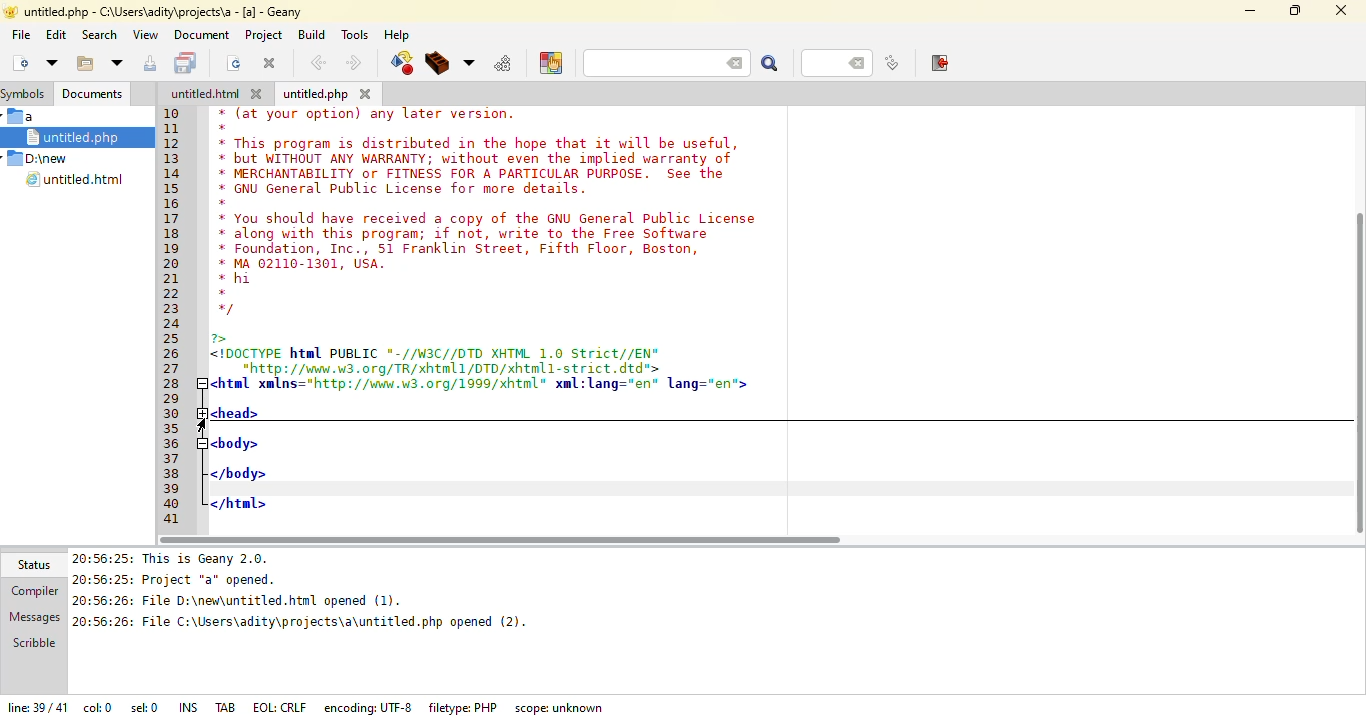  Describe the element at coordinates (118, 62) in the screenshot. I see `more` at that location.